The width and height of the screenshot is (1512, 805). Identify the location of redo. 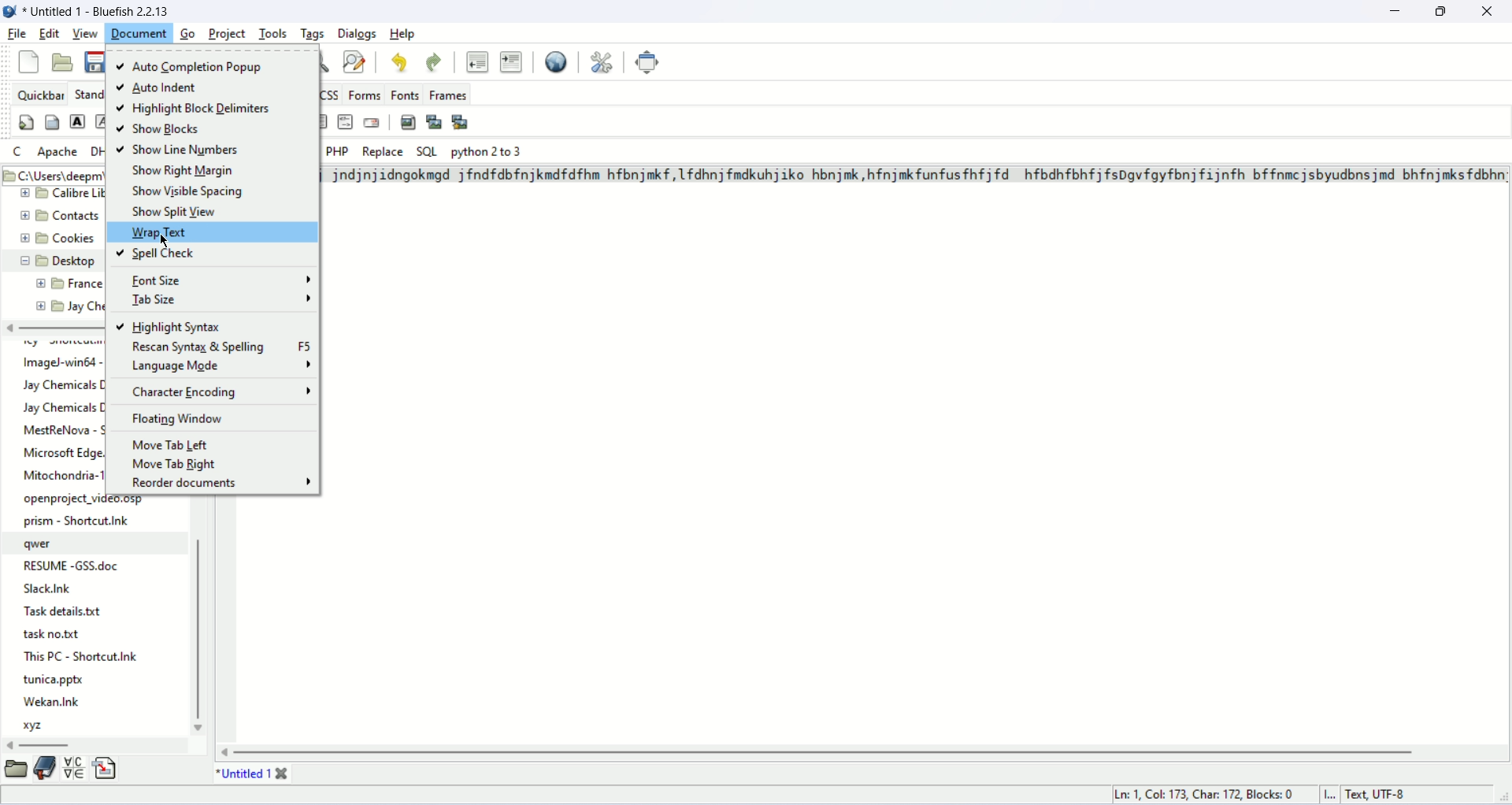
(432, 63).